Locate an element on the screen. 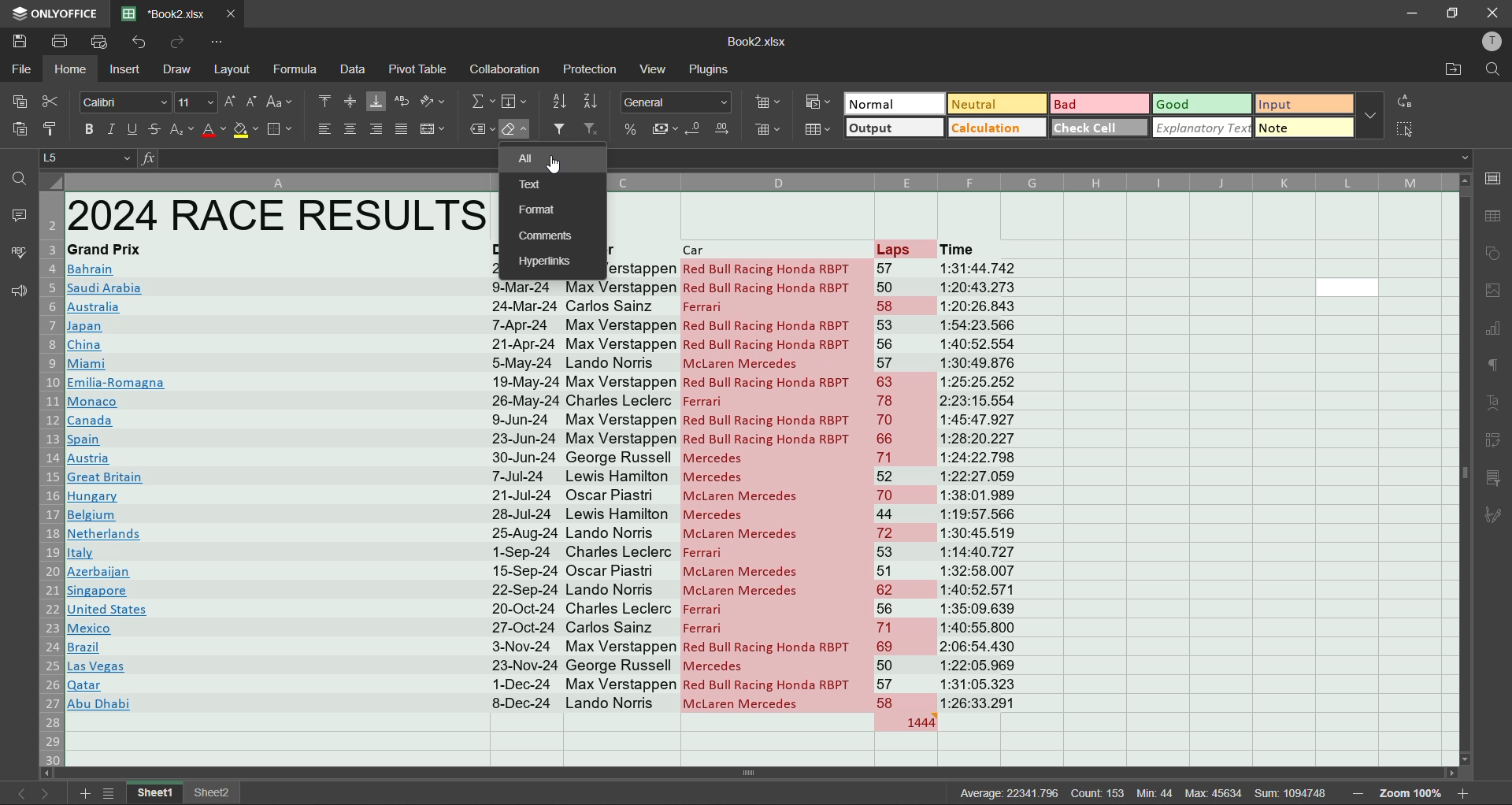  copy style is located at coordinates (52, 124).